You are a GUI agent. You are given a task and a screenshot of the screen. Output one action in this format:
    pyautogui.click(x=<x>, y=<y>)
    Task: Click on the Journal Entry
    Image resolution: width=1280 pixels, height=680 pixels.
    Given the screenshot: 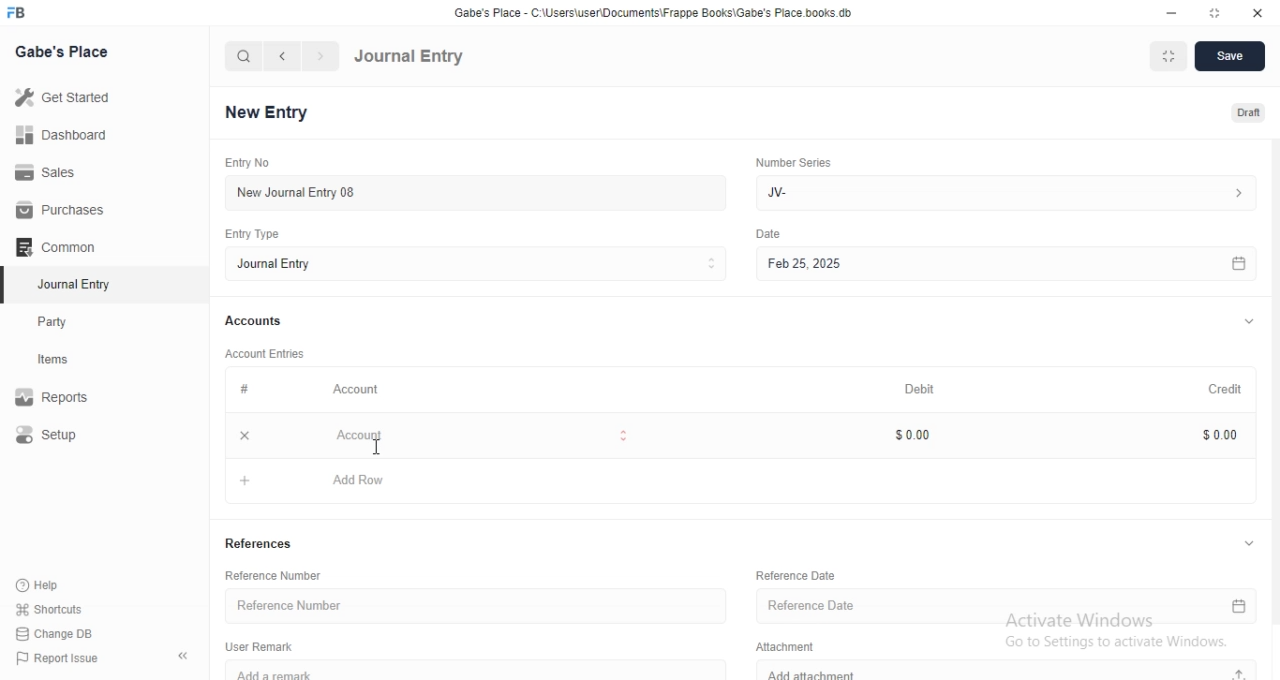 What is the action you would take?
    pyautogui.click(x=410, y=57)
    